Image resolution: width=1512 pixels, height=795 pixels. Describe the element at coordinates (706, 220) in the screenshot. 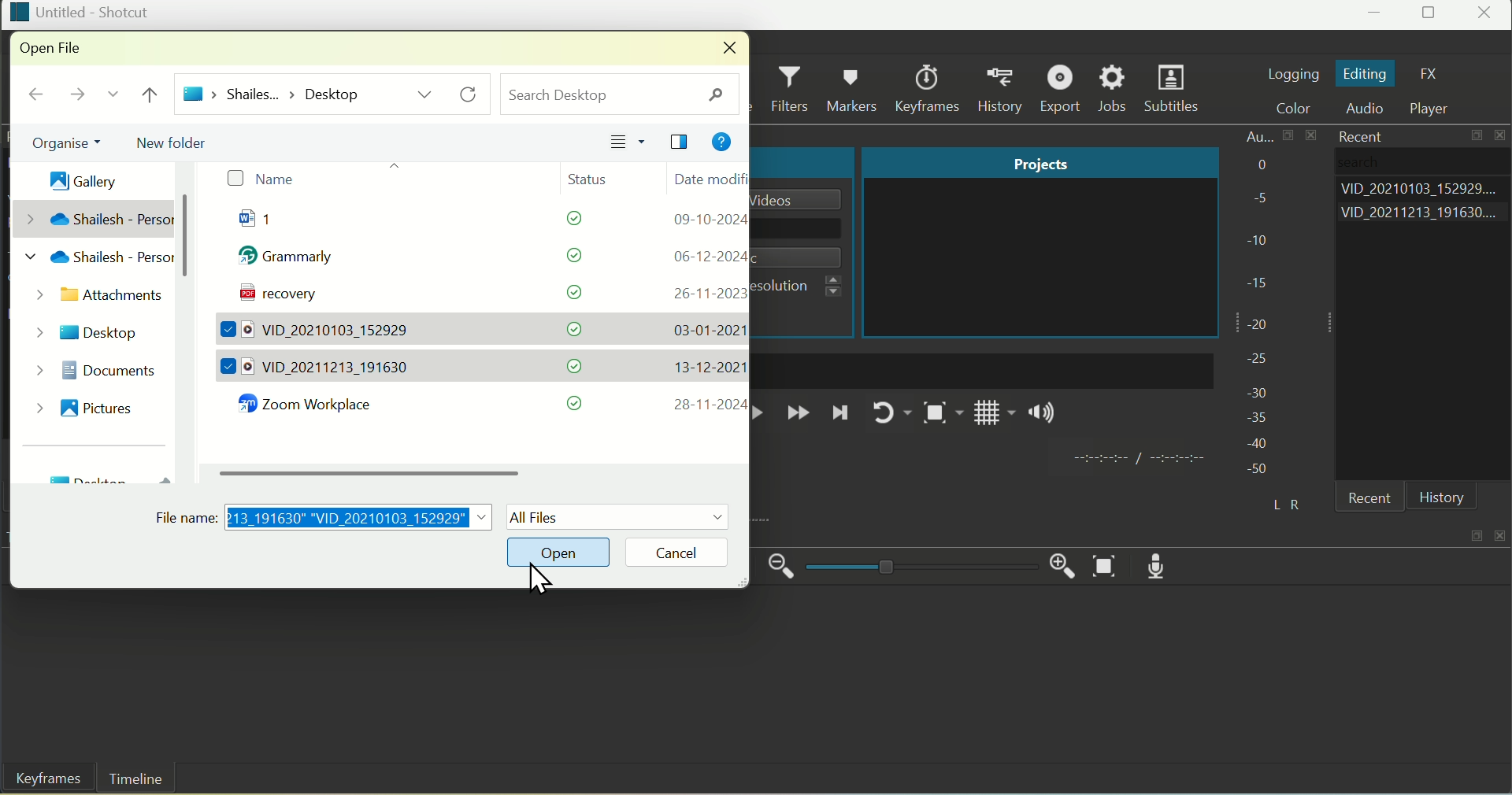

I see `date` at that location.